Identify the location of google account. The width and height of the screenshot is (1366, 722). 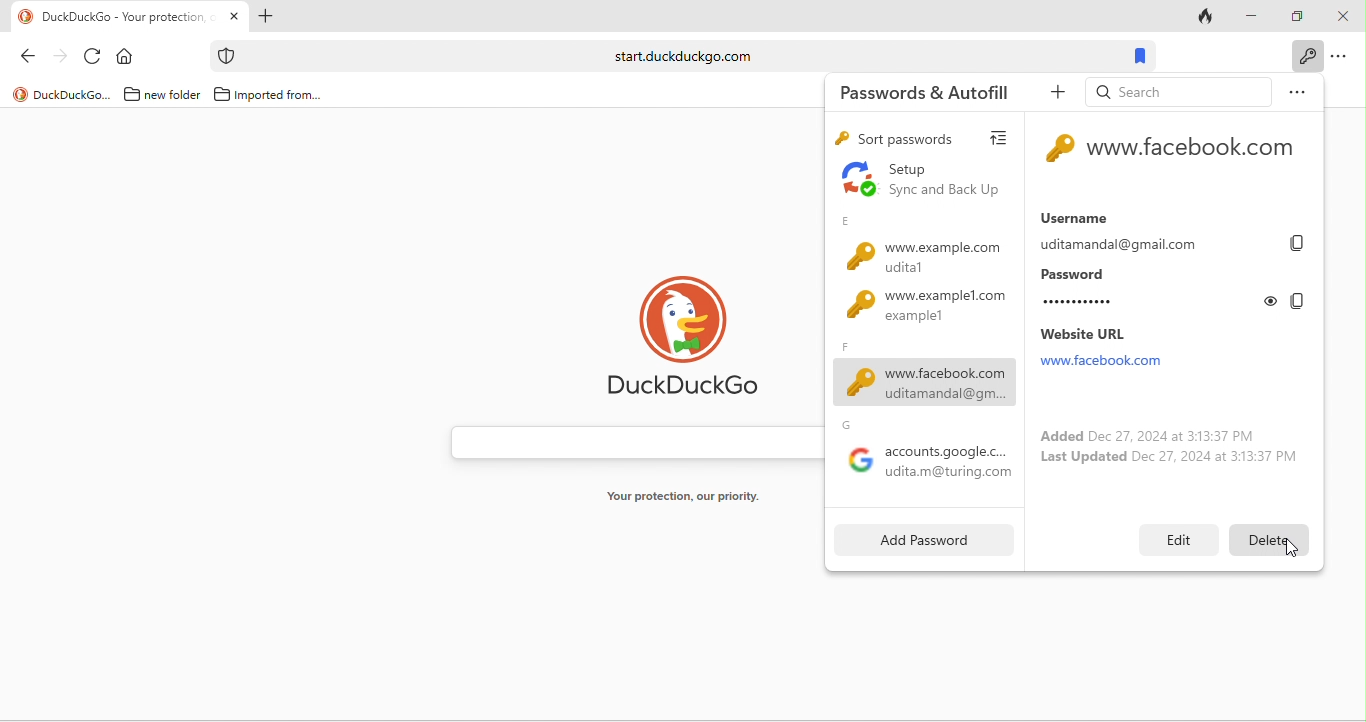
(925, 455).